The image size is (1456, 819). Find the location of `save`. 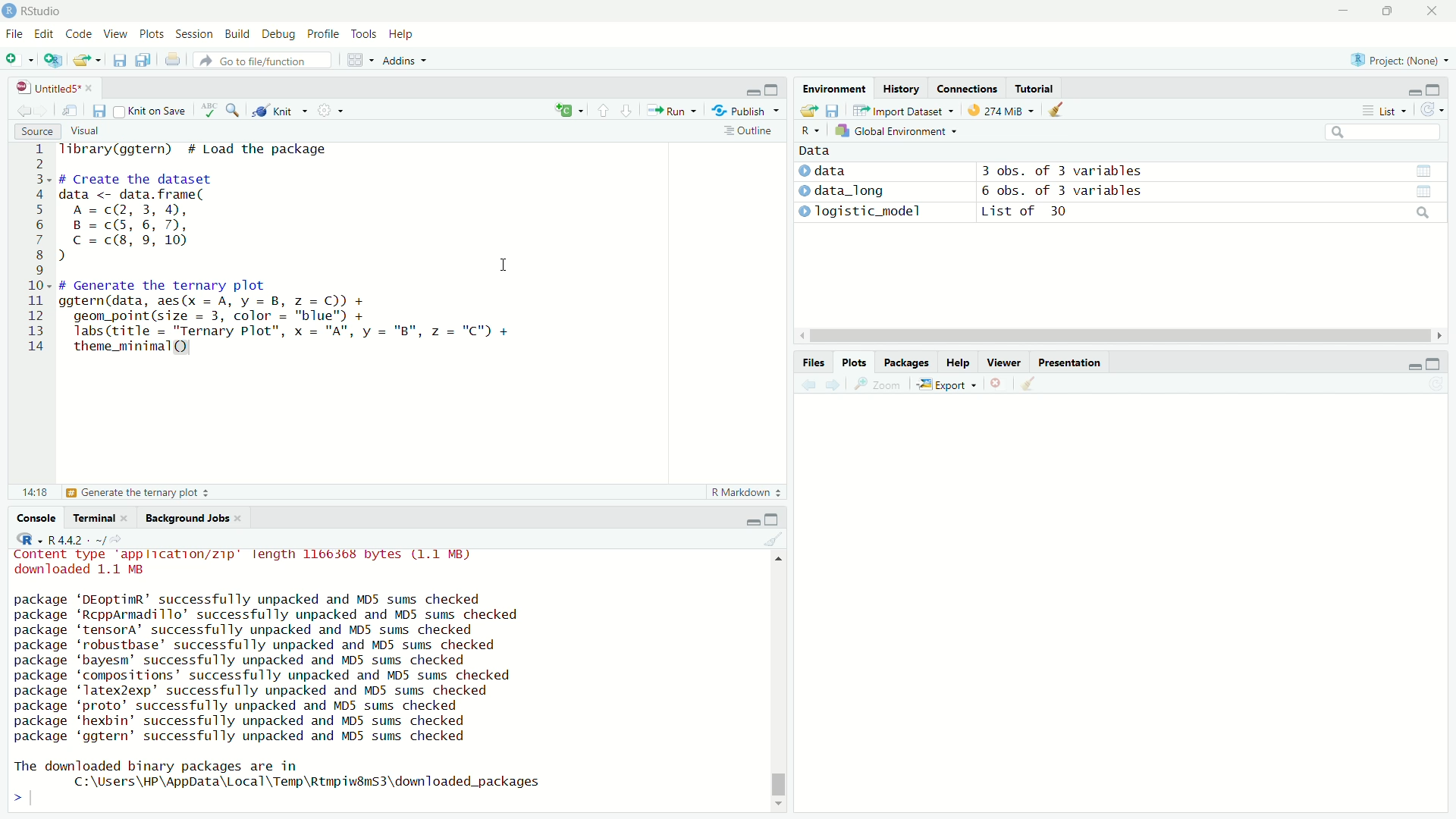

save is located at coordinates (835, 108).